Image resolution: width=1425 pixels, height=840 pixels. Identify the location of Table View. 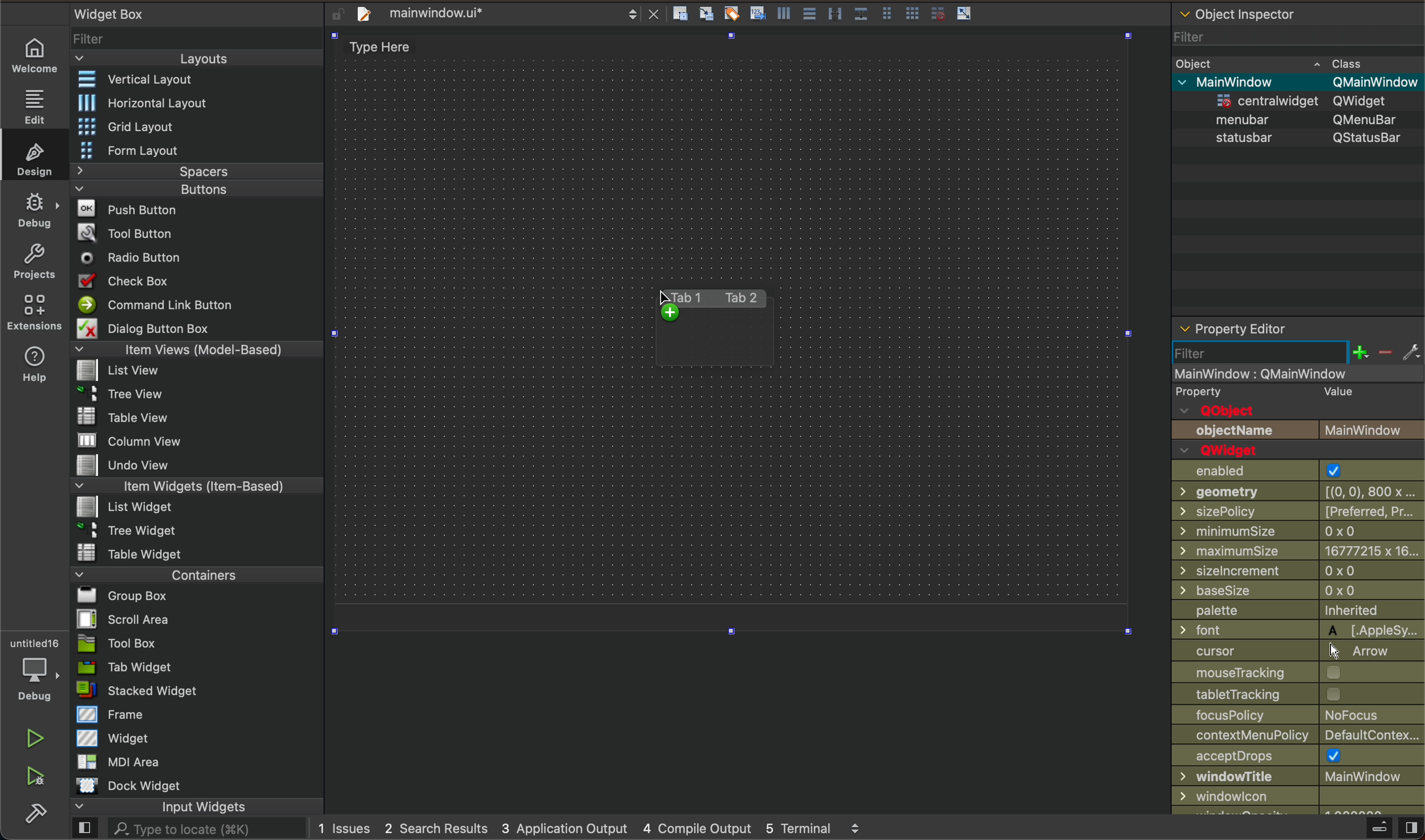
(109, 413).